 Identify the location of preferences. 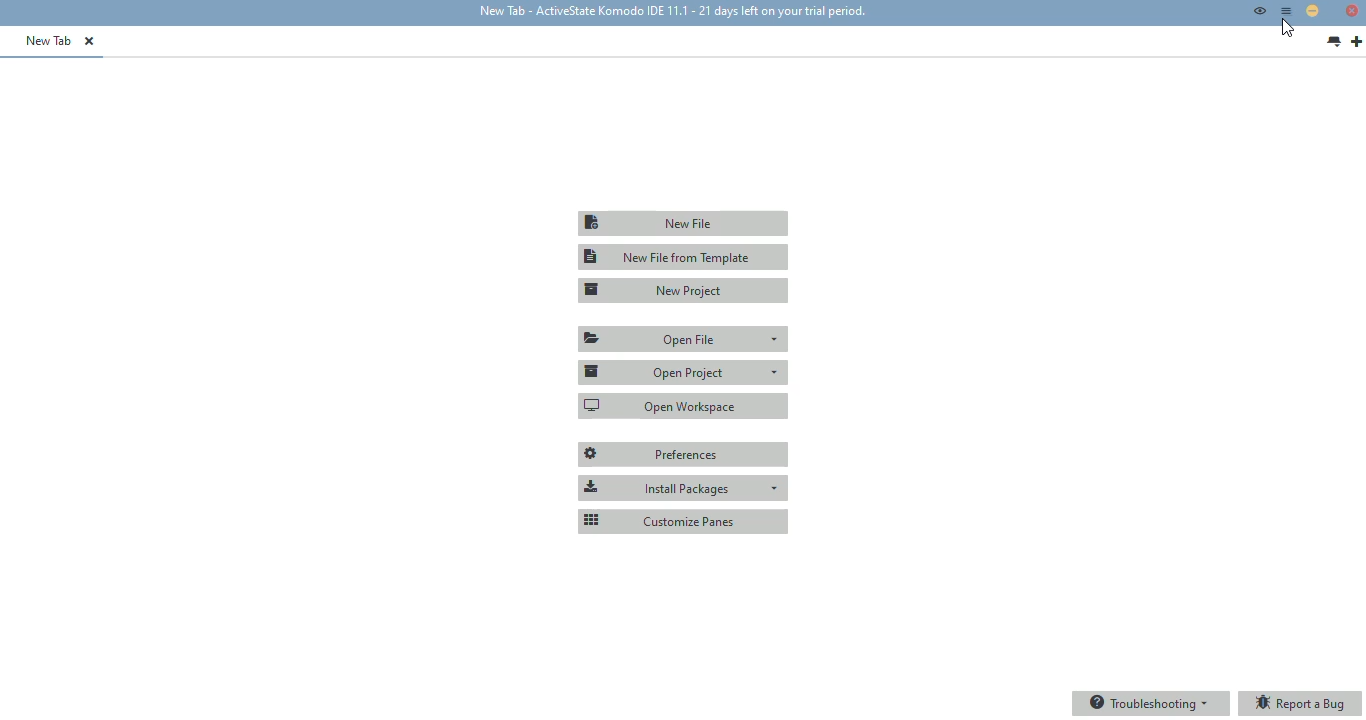
(684, 455).